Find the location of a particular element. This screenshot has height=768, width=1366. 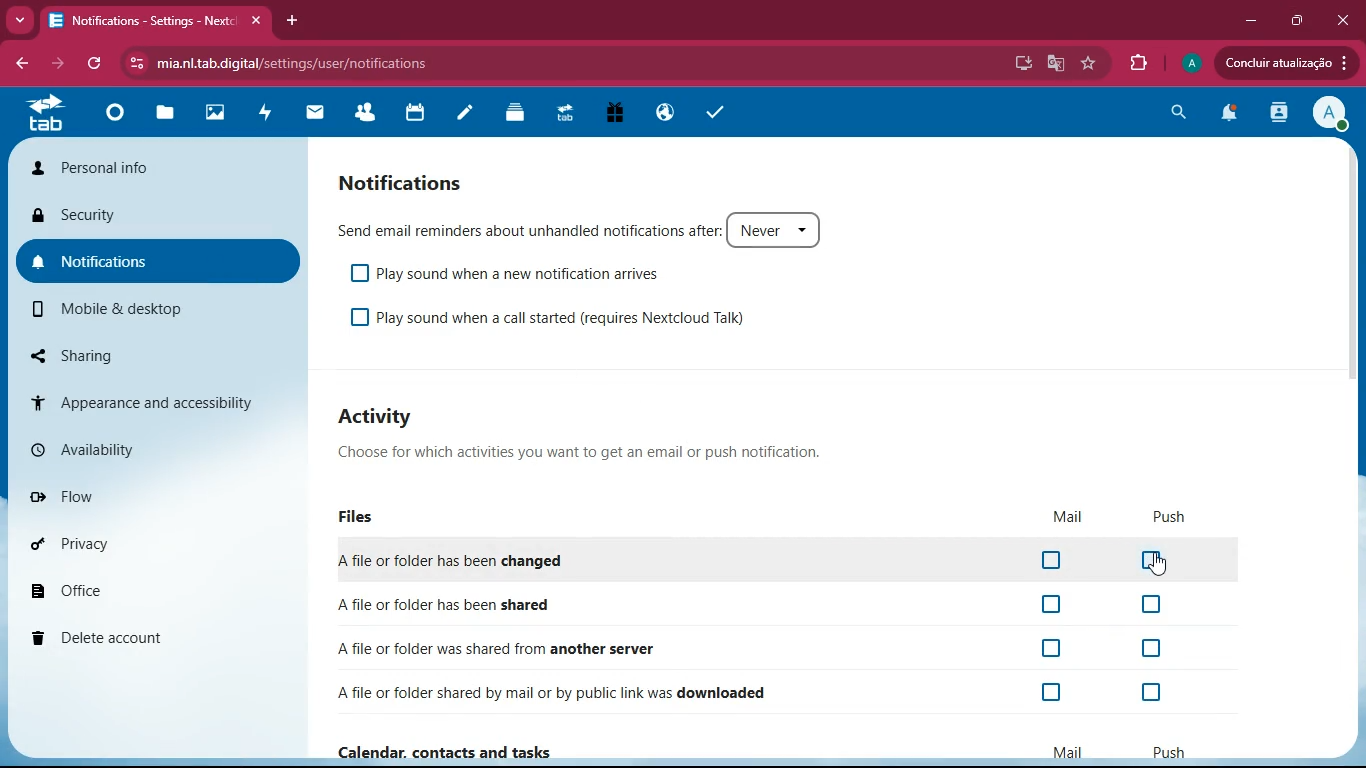

off is located at coordinates (1153, 563).